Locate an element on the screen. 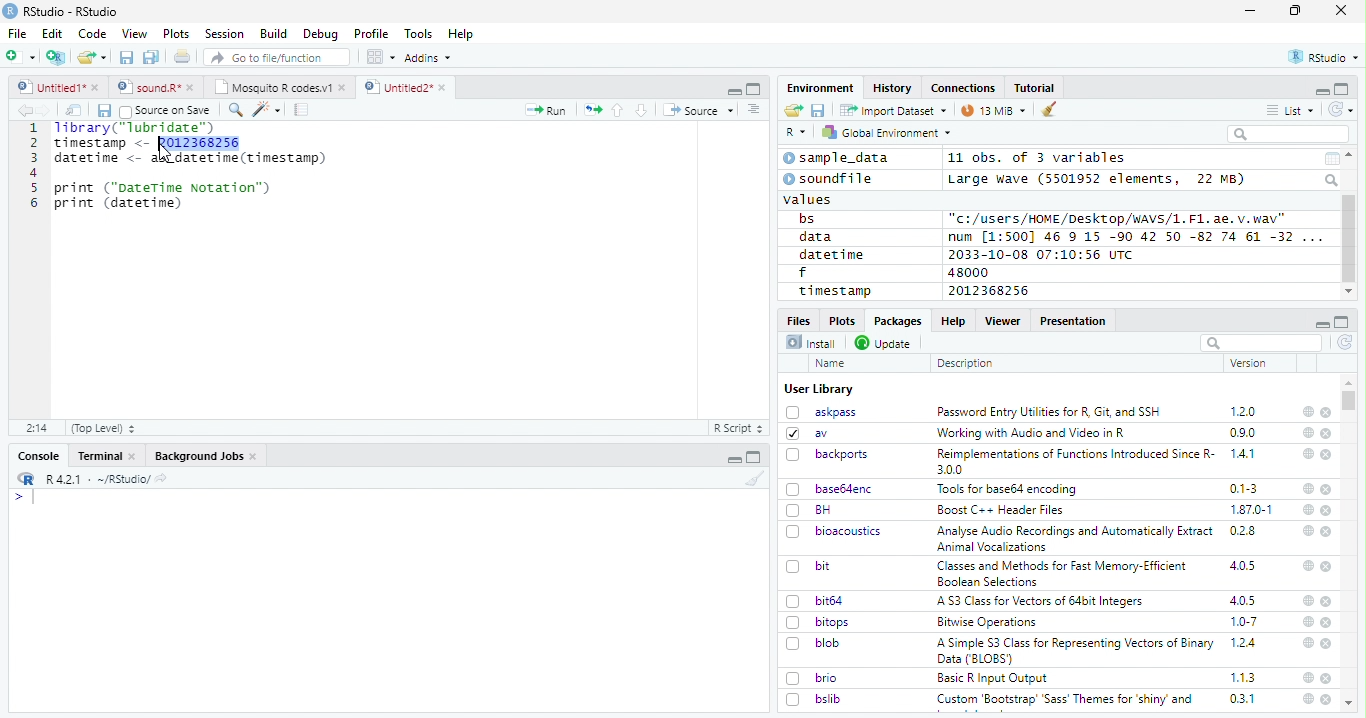 The height and width of the screenshot is (718, 1366). close is located at coordinates (1326, 489).